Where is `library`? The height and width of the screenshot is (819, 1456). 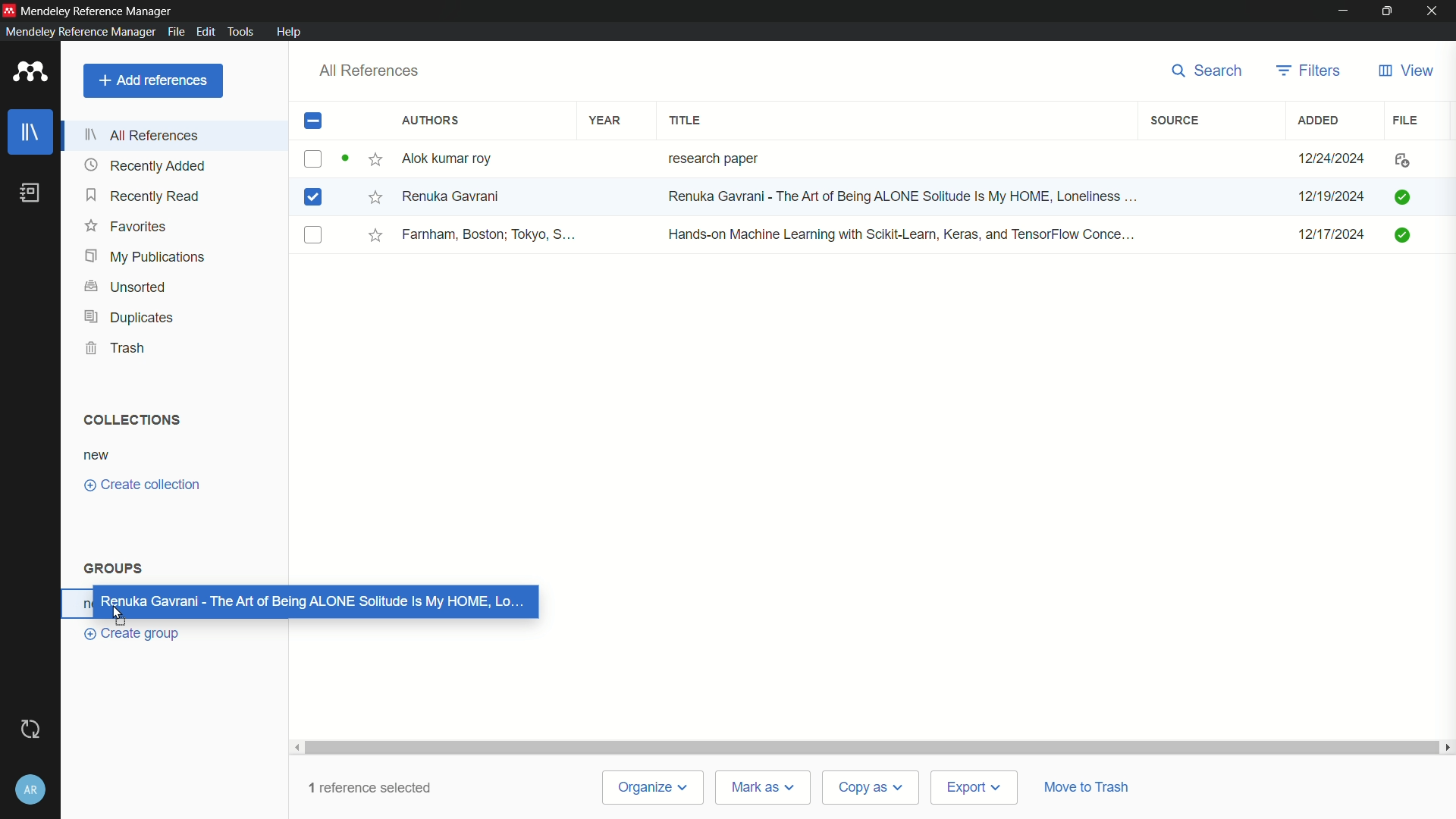 library is located at coordinates (33, 133).